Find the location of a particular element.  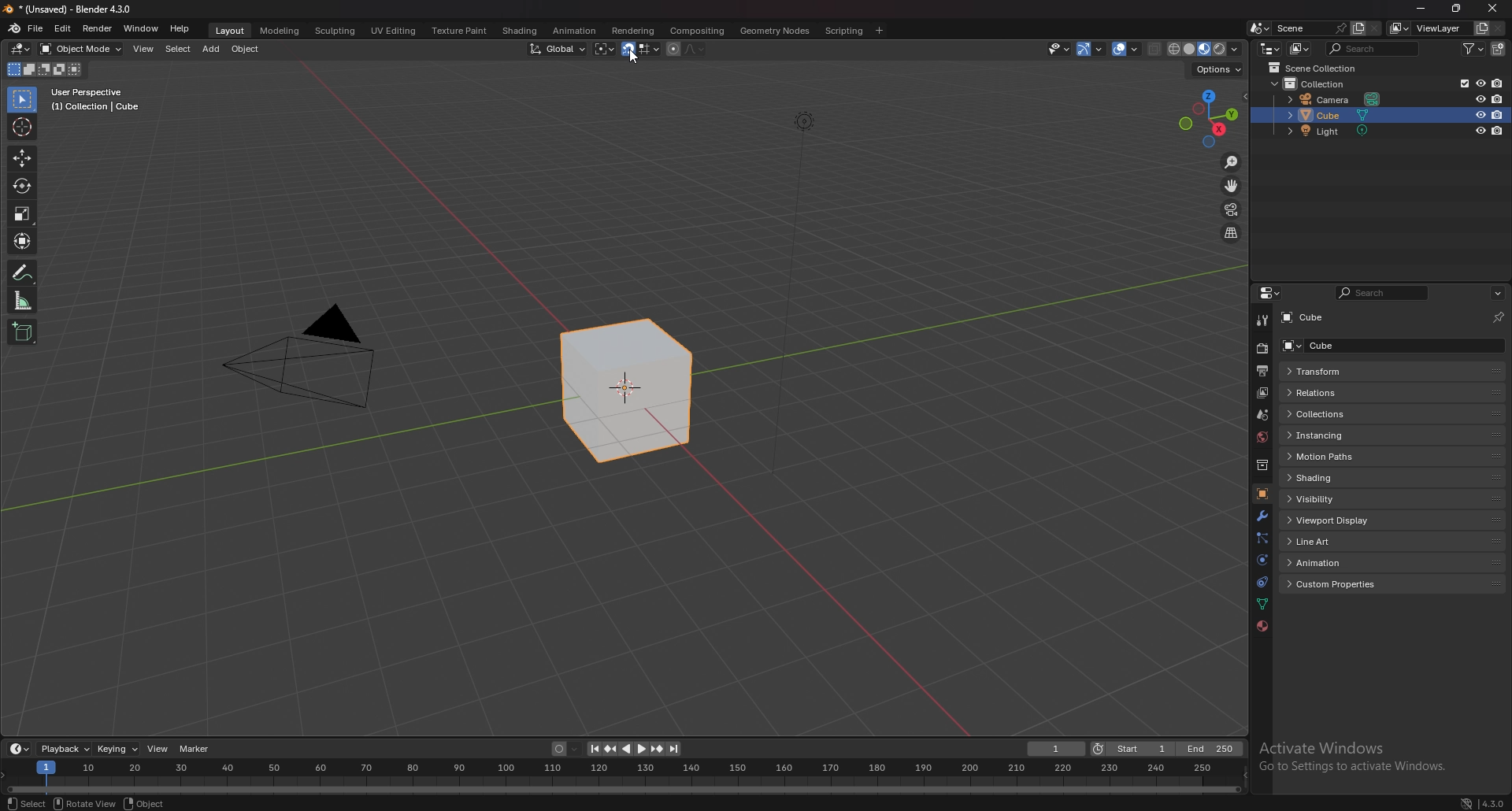

scene collection is located at coordinates (1320, 68).